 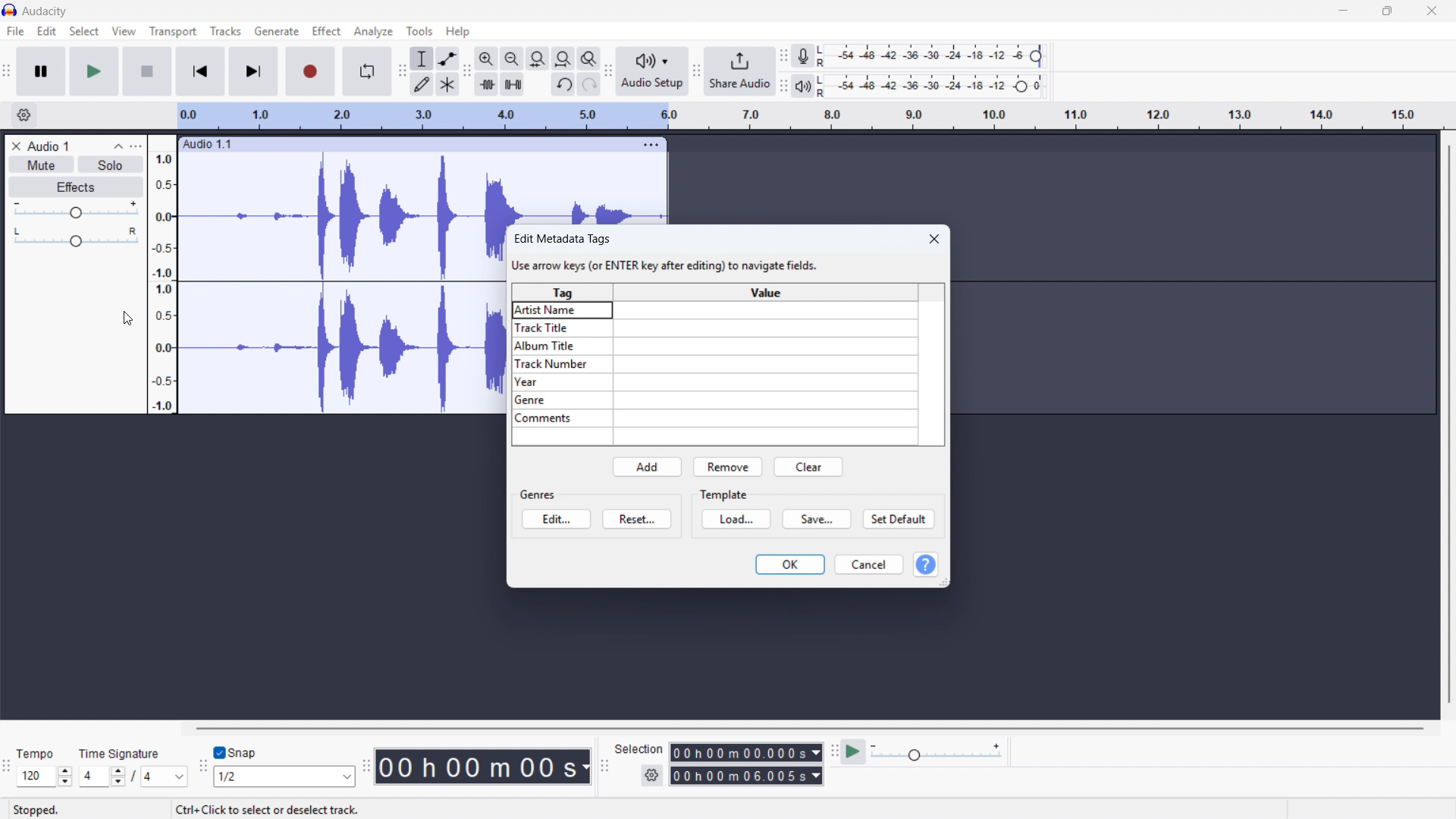 What do you see at coordinates (50, 146) in the screenshot?
I see `track title` at bounding box center [50, 146].